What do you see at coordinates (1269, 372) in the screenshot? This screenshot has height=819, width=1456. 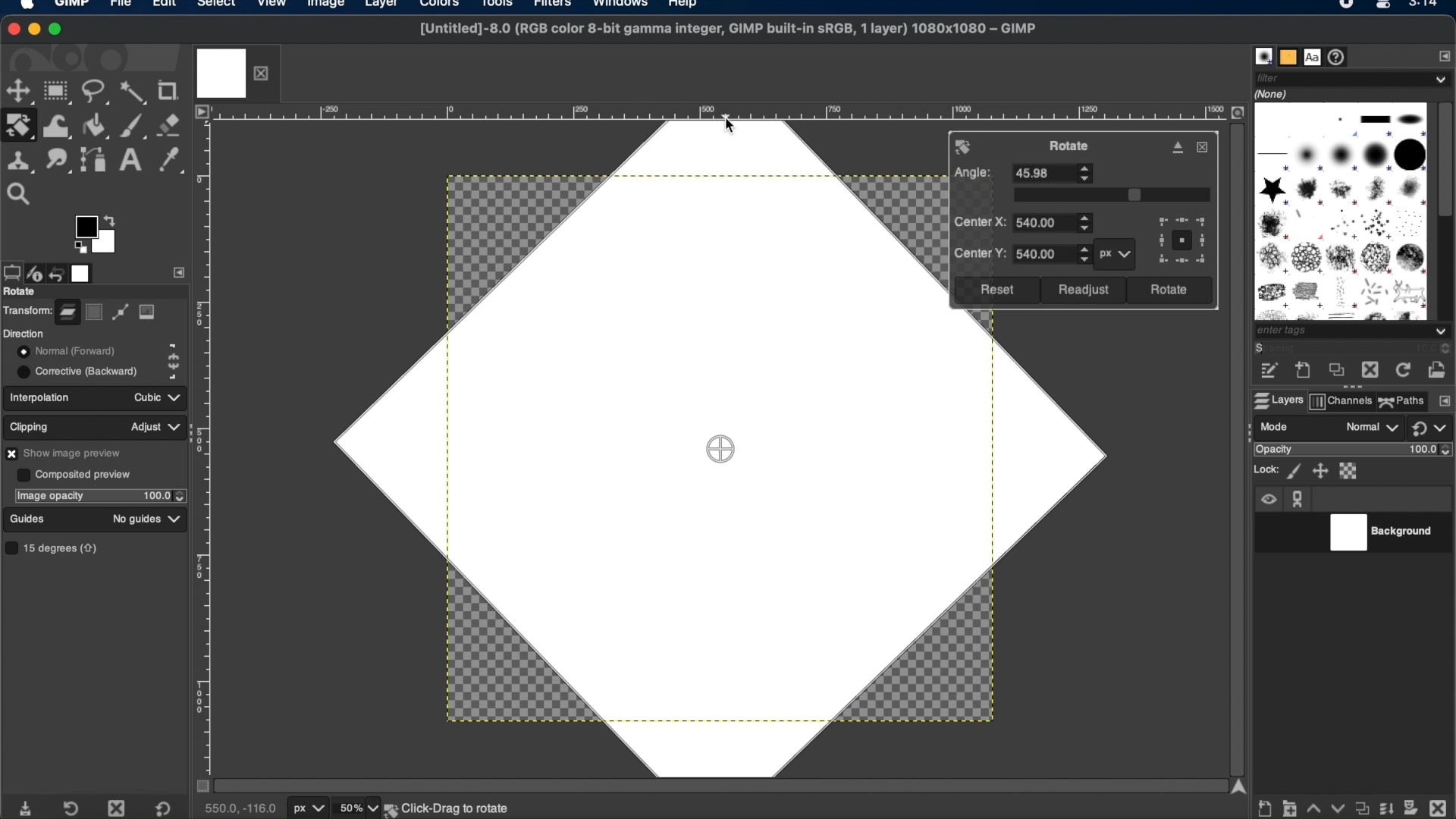 I see `edit this brush` at bounding box center [1269, 372].